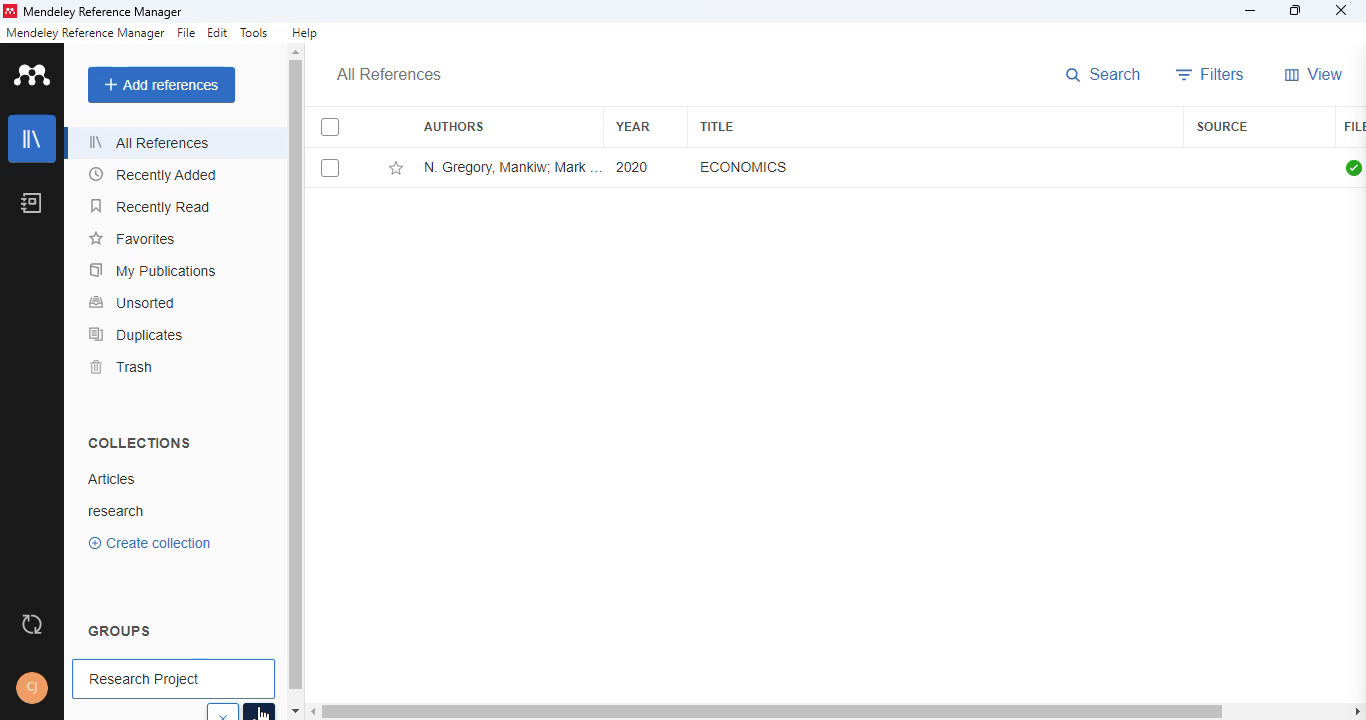 The width and height of the screenshot is (1366, 720). I want to click on select, so click(330, 169).